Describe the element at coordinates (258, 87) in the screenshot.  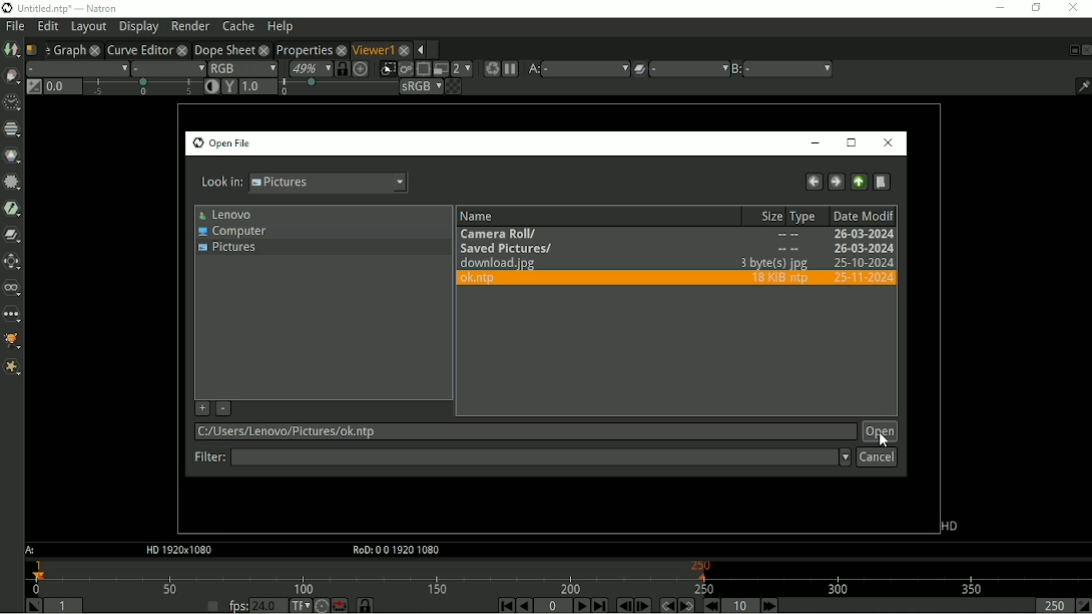
I see `1.0` at that location.